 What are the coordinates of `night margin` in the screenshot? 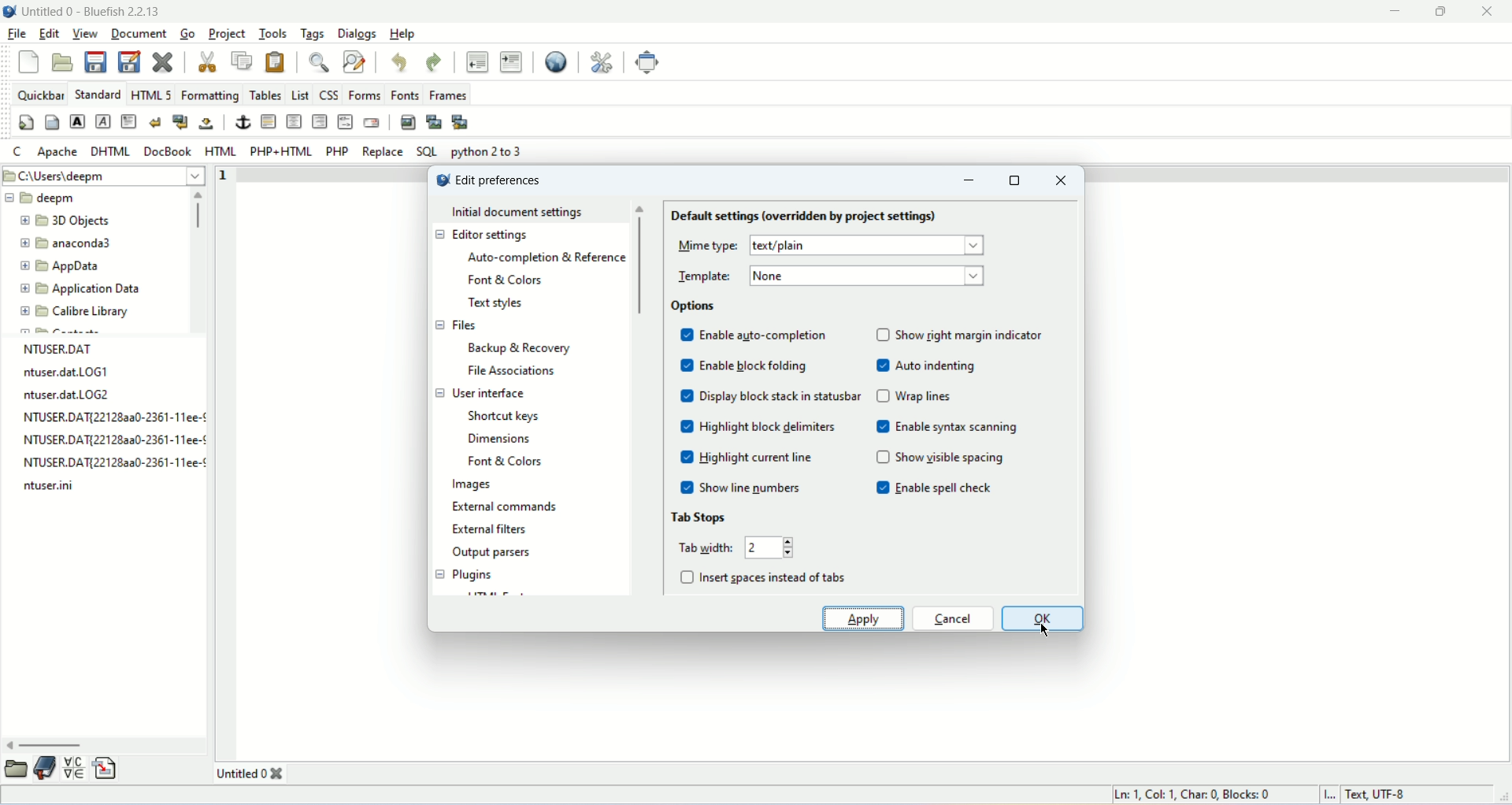 It's located at (971, 334).